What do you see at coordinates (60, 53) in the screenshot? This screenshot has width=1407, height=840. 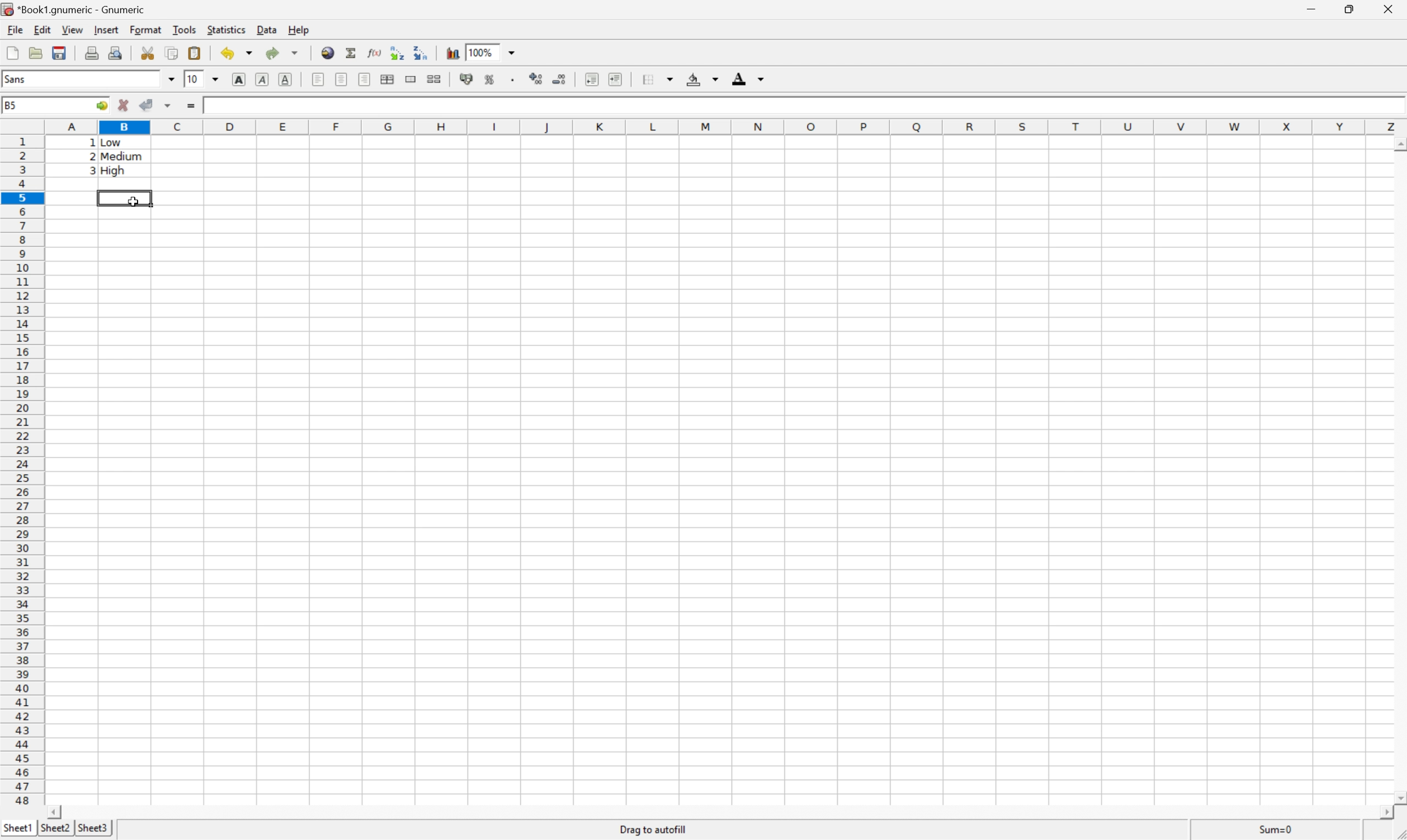 I see `Save current workbook` at bounding box center [60, 53].